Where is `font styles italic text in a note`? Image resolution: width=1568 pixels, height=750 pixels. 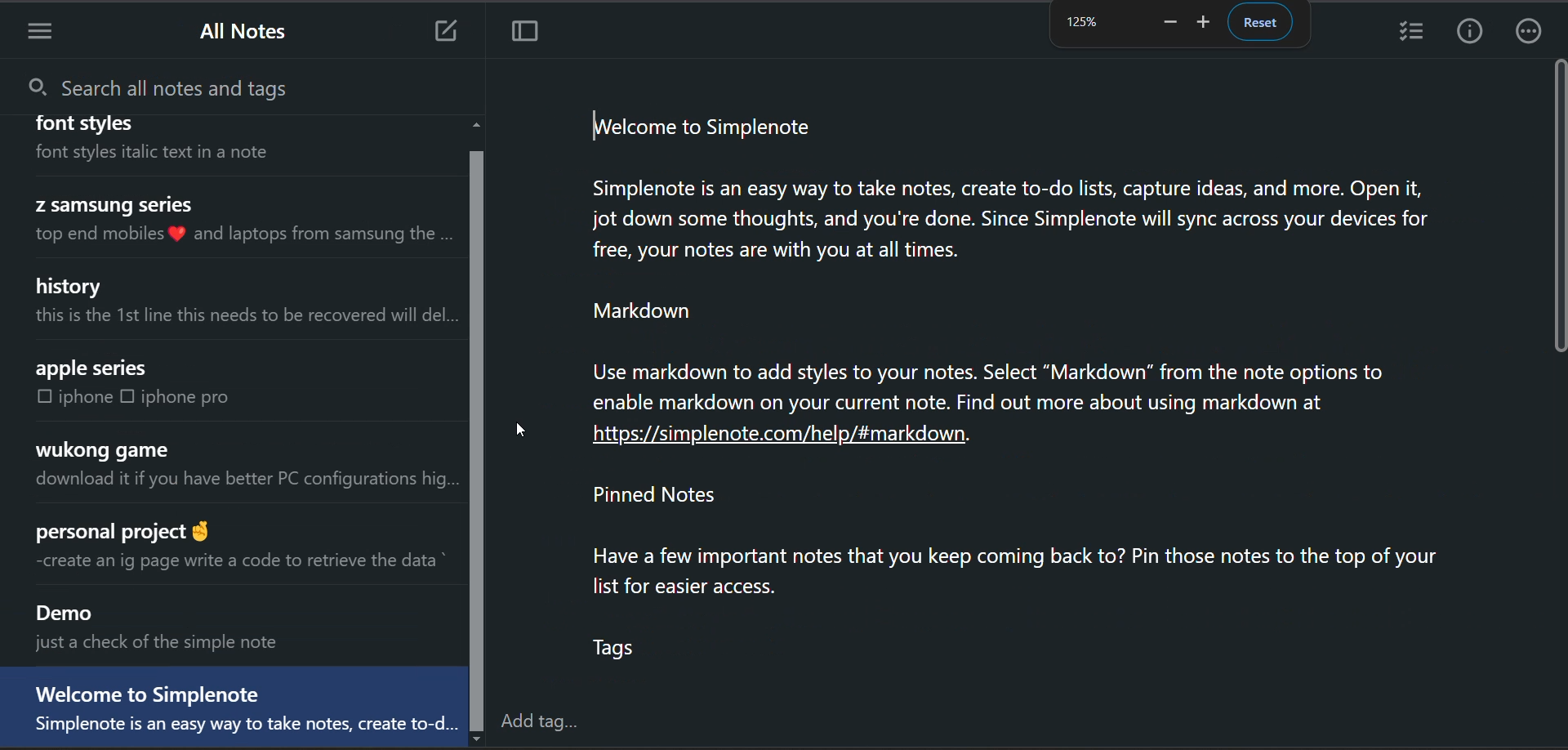 font styles italic text in a note is located at coordinates (180, 151).